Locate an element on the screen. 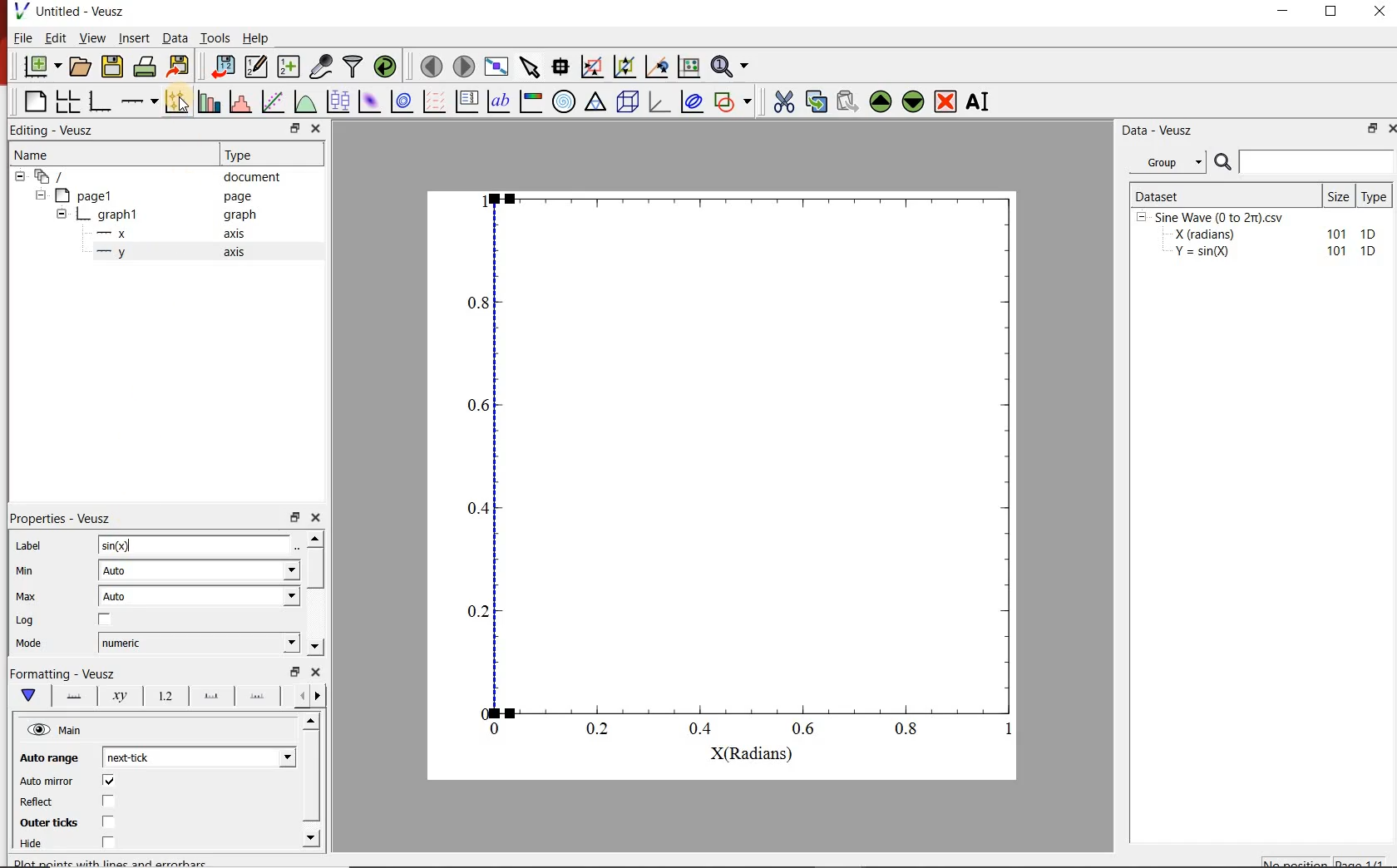 Image resolution: width=1397 pixels, height=868 pixels. Data - Veusz is located at coordinates (1160, 131).